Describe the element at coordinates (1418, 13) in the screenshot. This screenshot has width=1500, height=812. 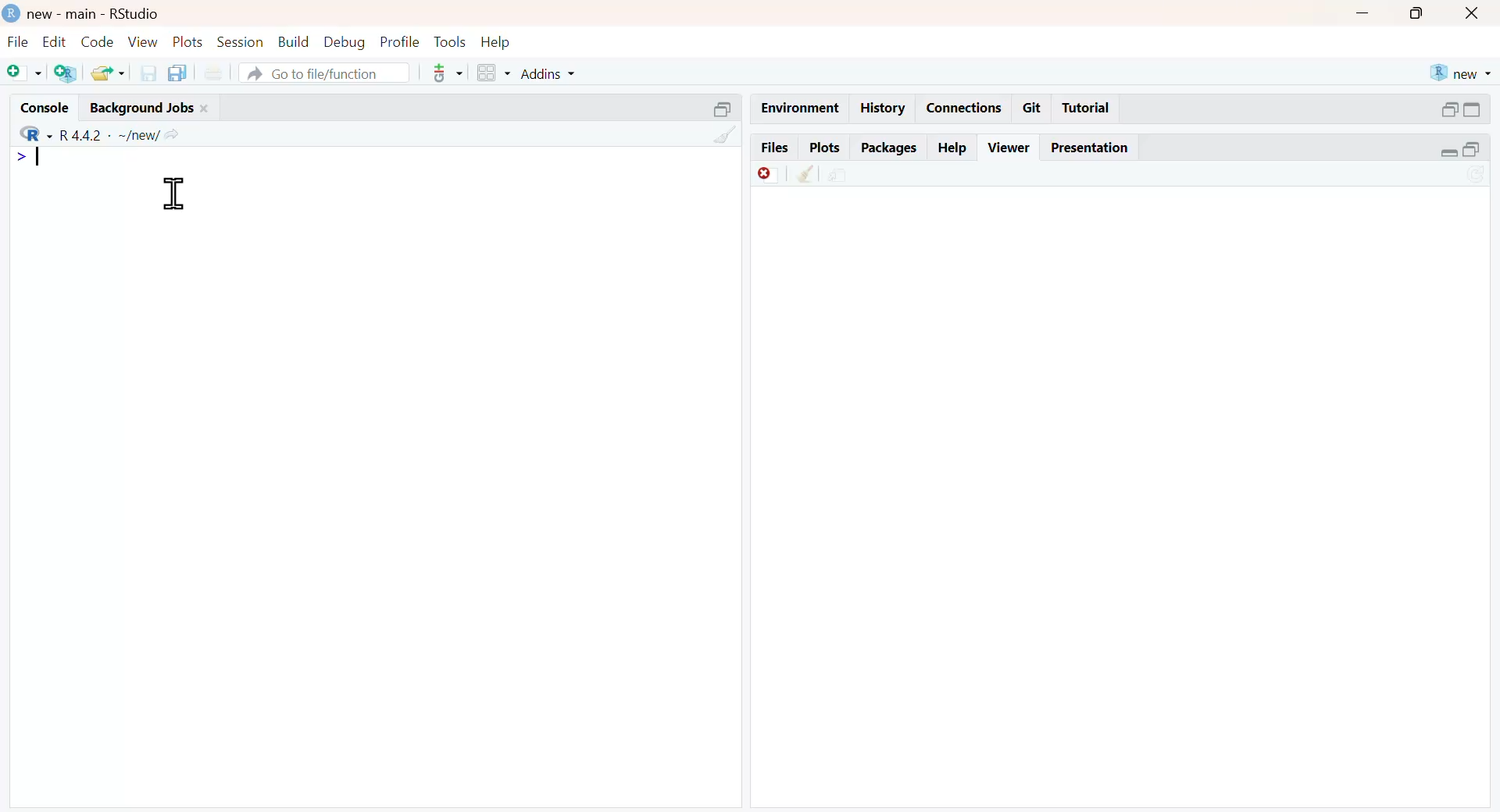
I see `maximise` at that location.